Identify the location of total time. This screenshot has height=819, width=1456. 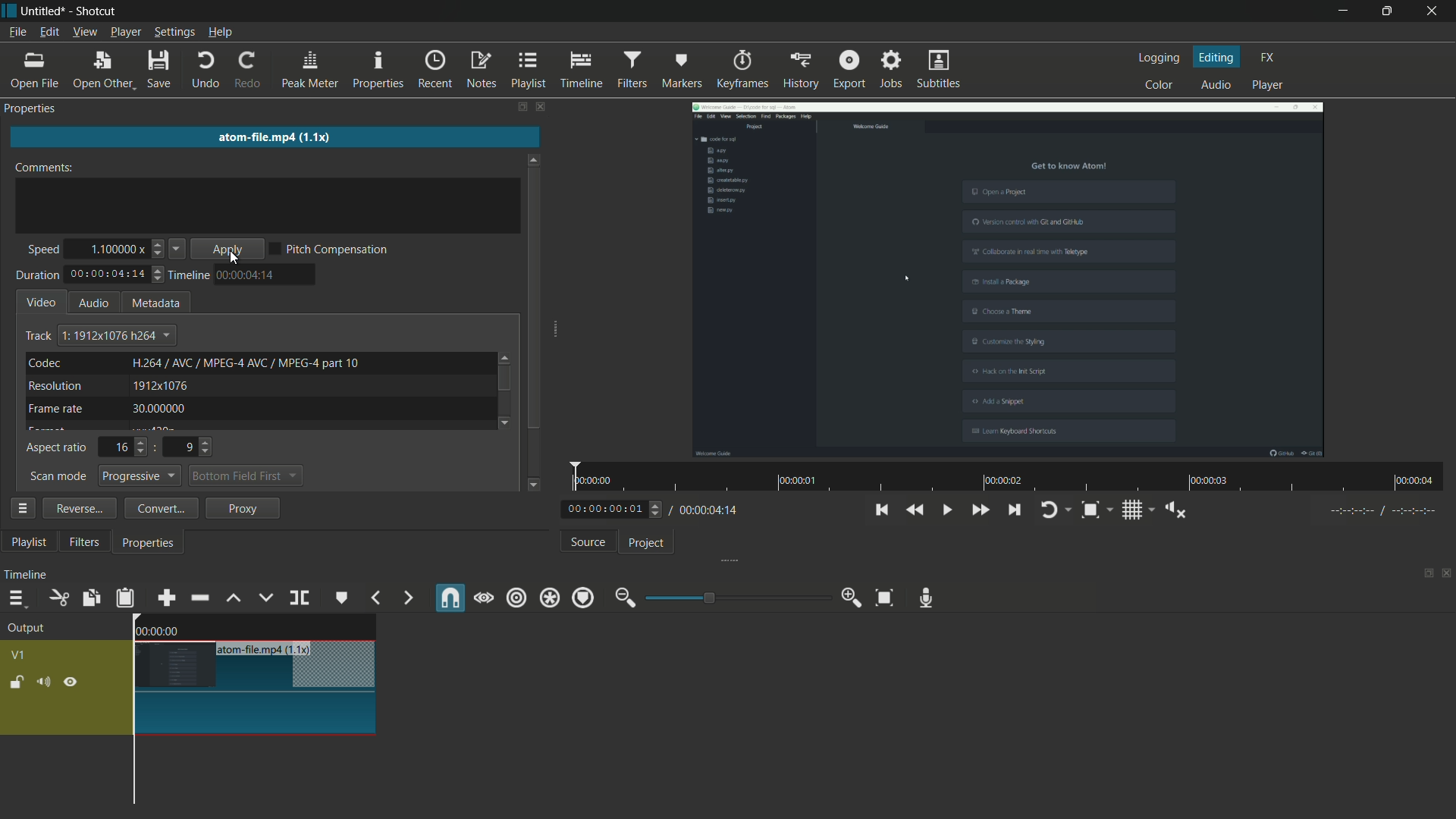
(107, 275).